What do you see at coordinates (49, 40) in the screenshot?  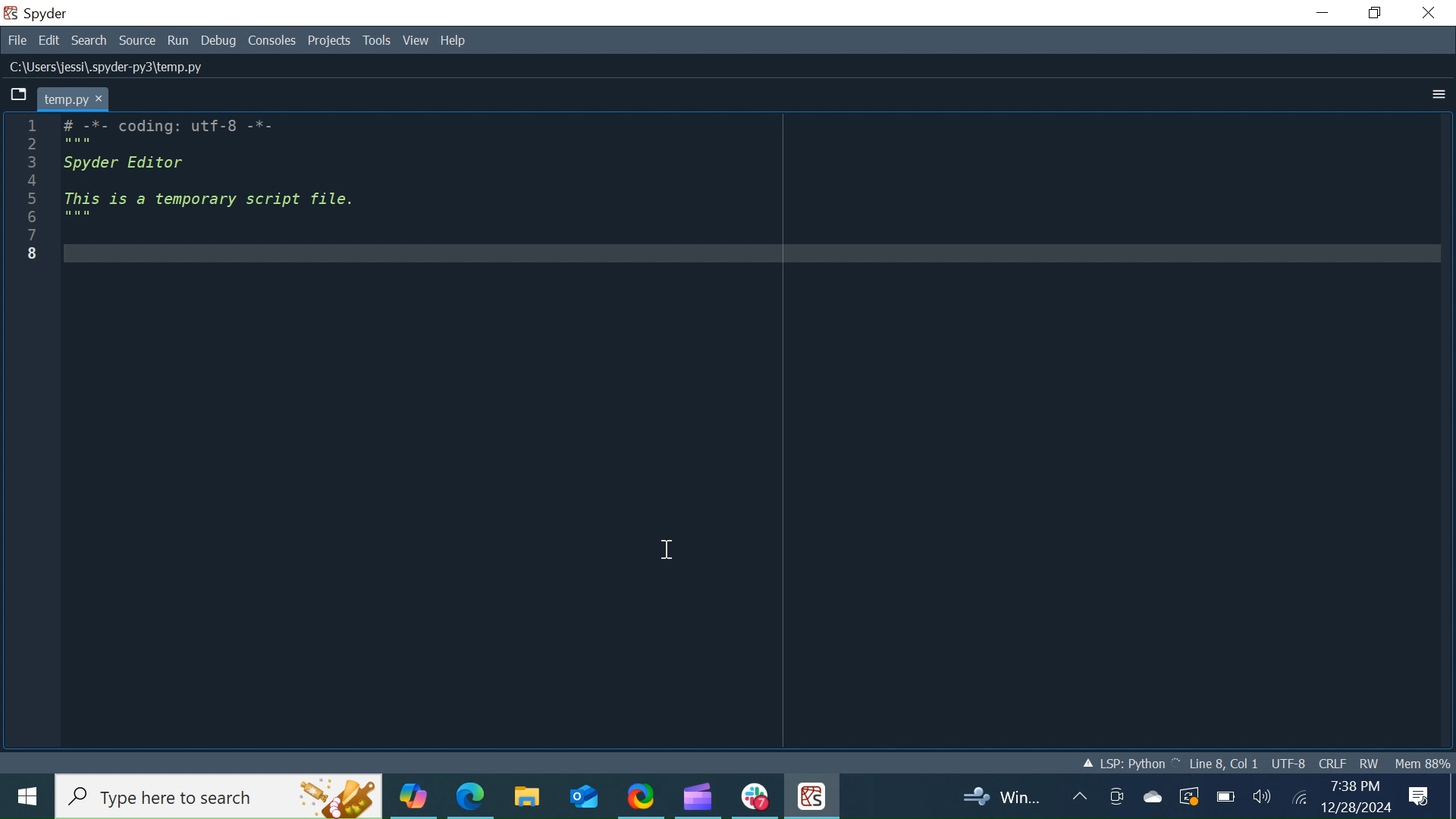 I see `Edit` at bounding box center [49, 40].